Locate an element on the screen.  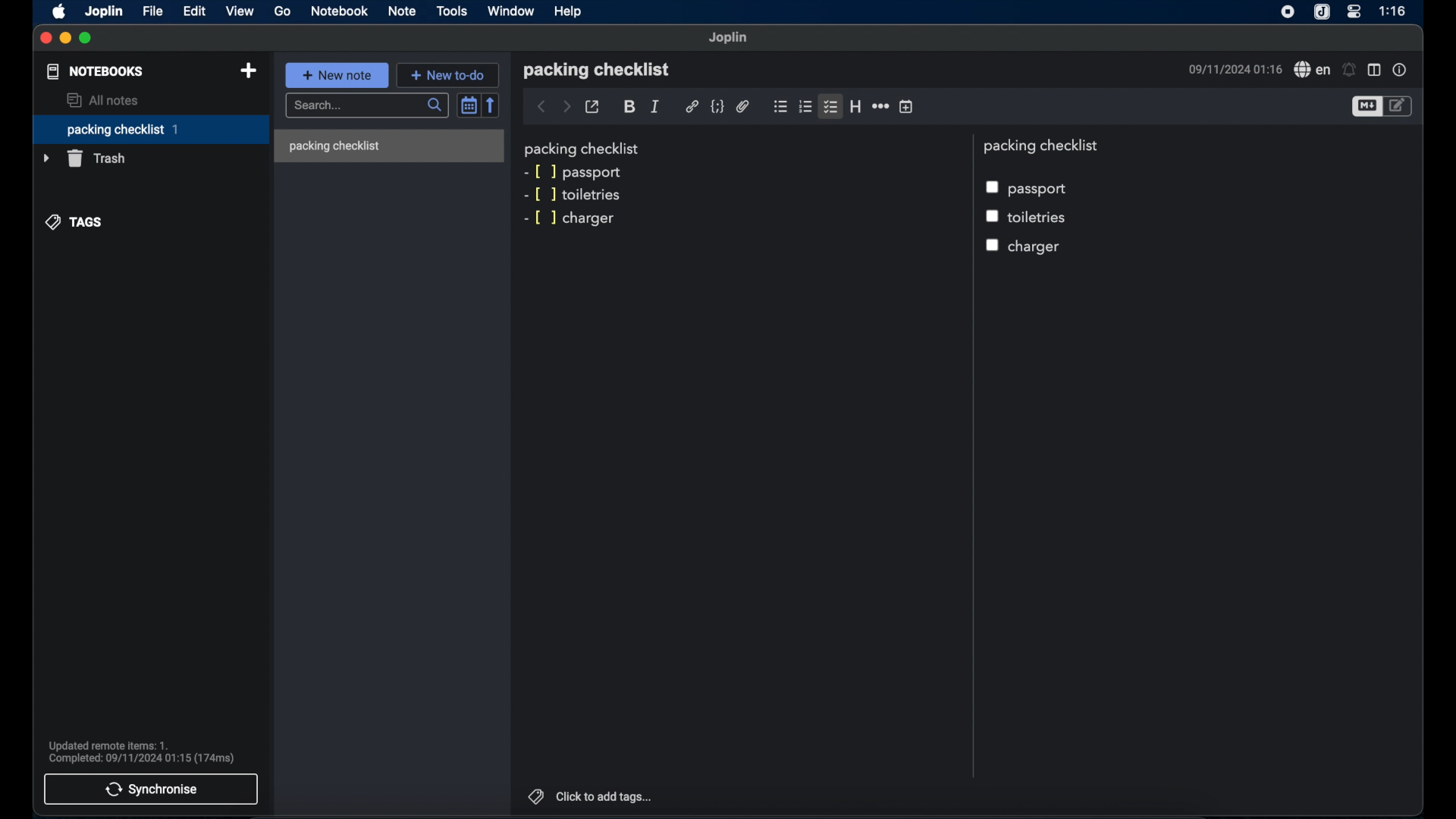
09/11/2024 01:16 is located at coordinates (1232, 70).